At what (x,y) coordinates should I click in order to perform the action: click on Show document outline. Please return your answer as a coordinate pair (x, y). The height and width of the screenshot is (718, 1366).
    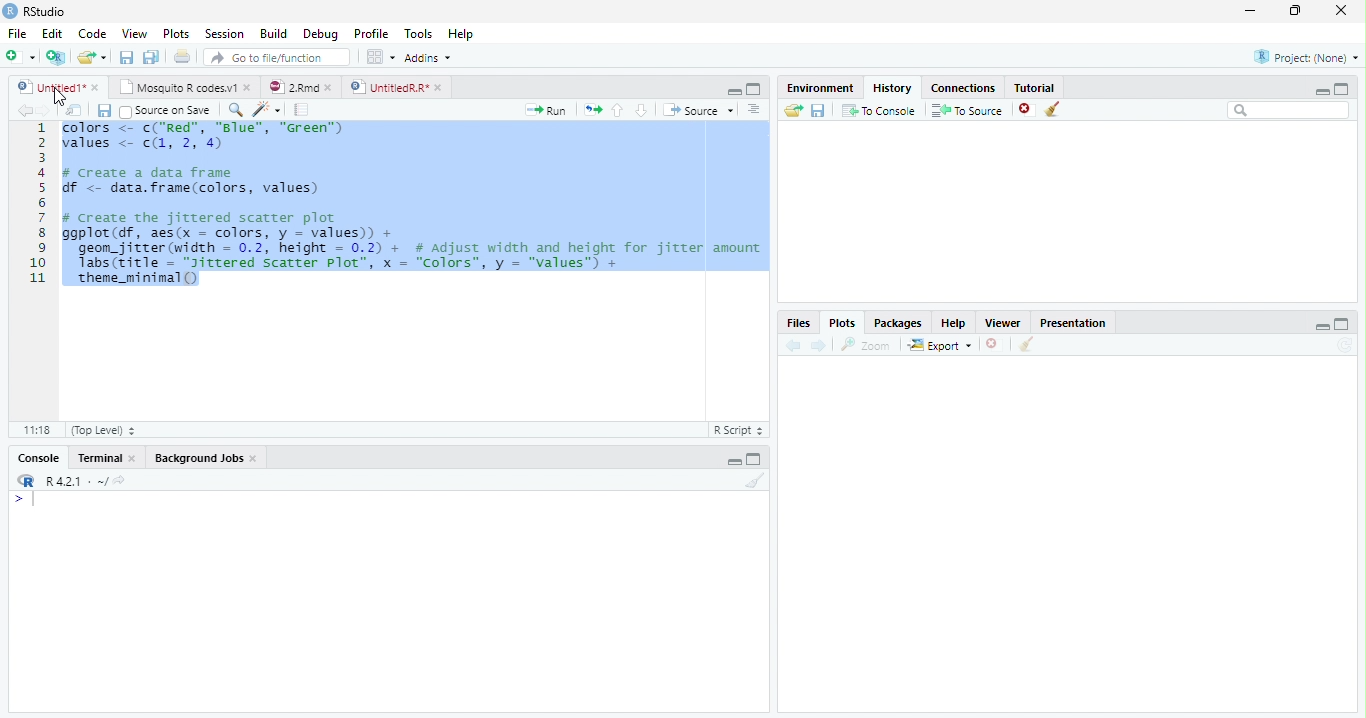
    Looking at the image, I should click on (753, 109).